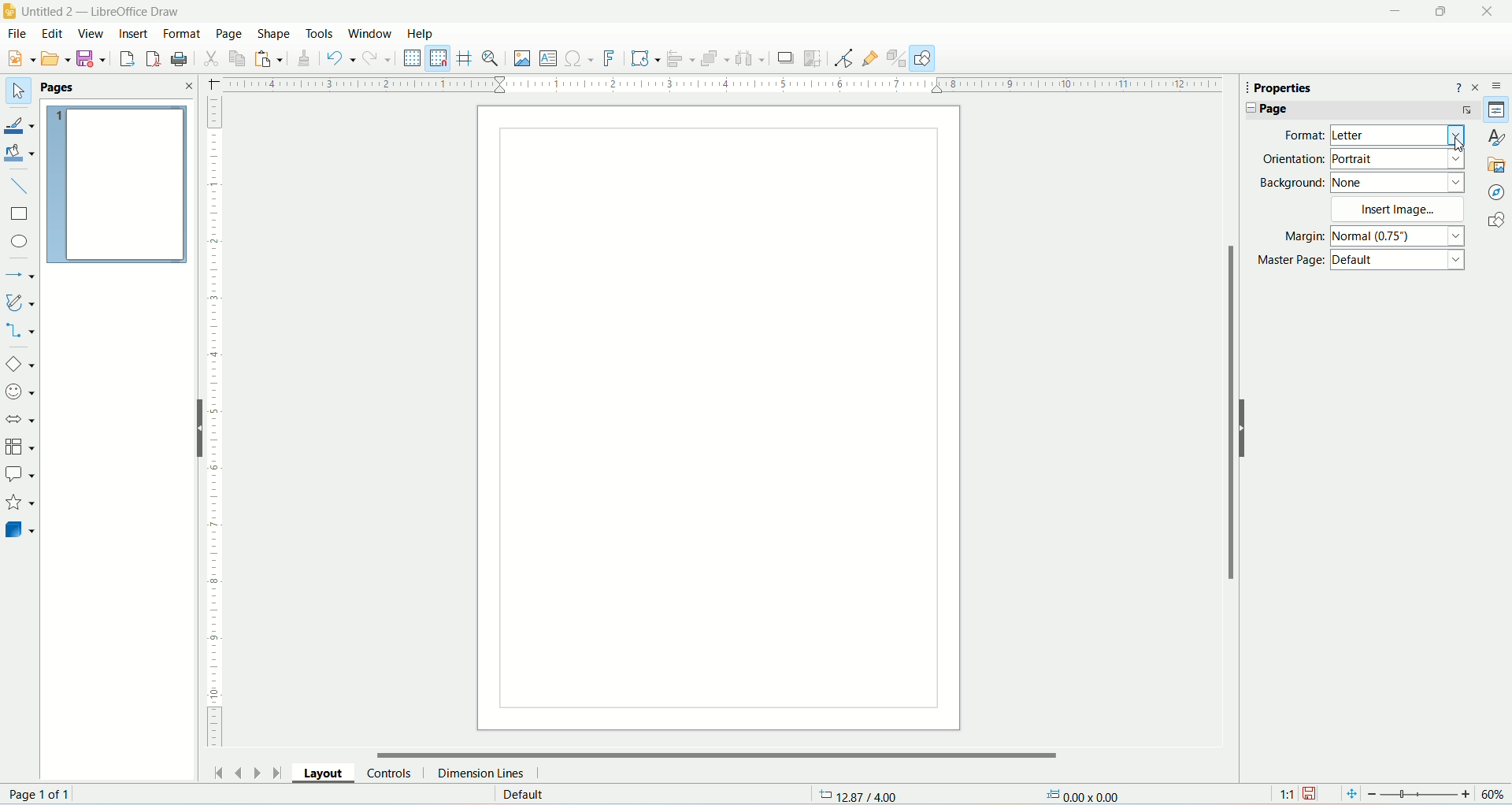  I want to click on snap to grid, so click(439, 57).